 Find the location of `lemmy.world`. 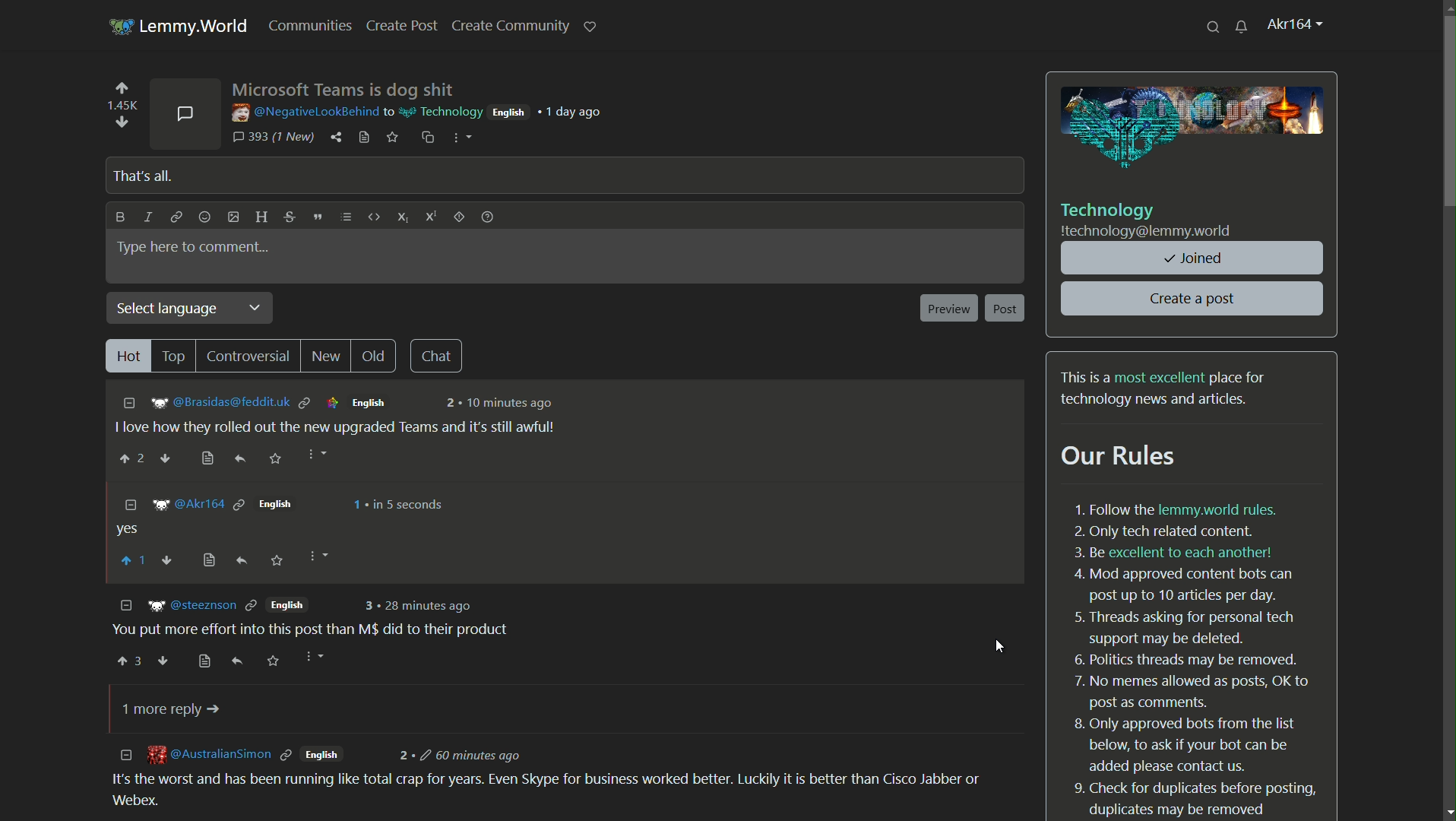

lemmy.world is located at coordinates (197, 27).